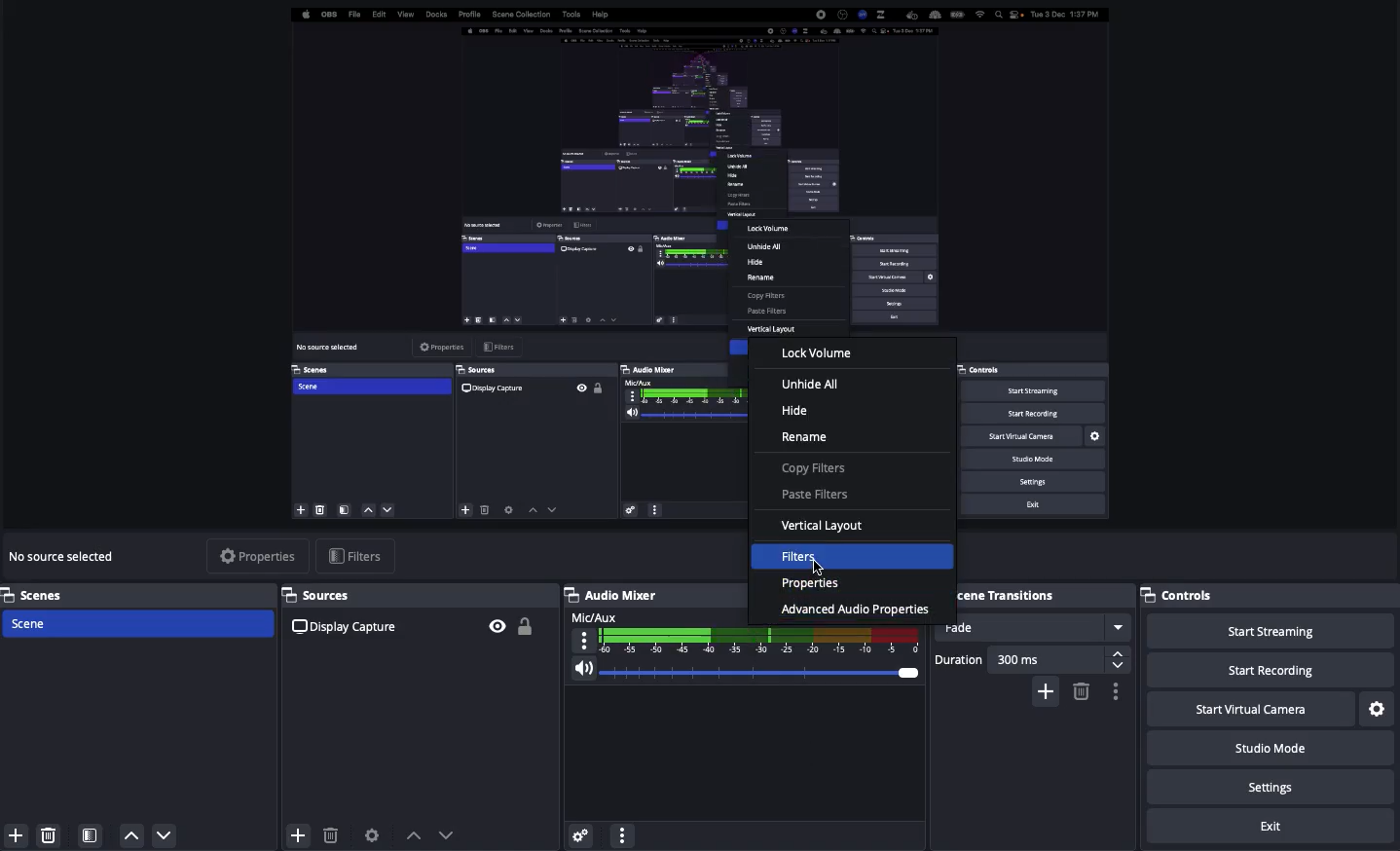 This screenshot has height=851, width=1400. Describe the element at coordinates (497, 624) in the screenshot. I see `Visible` at that location.